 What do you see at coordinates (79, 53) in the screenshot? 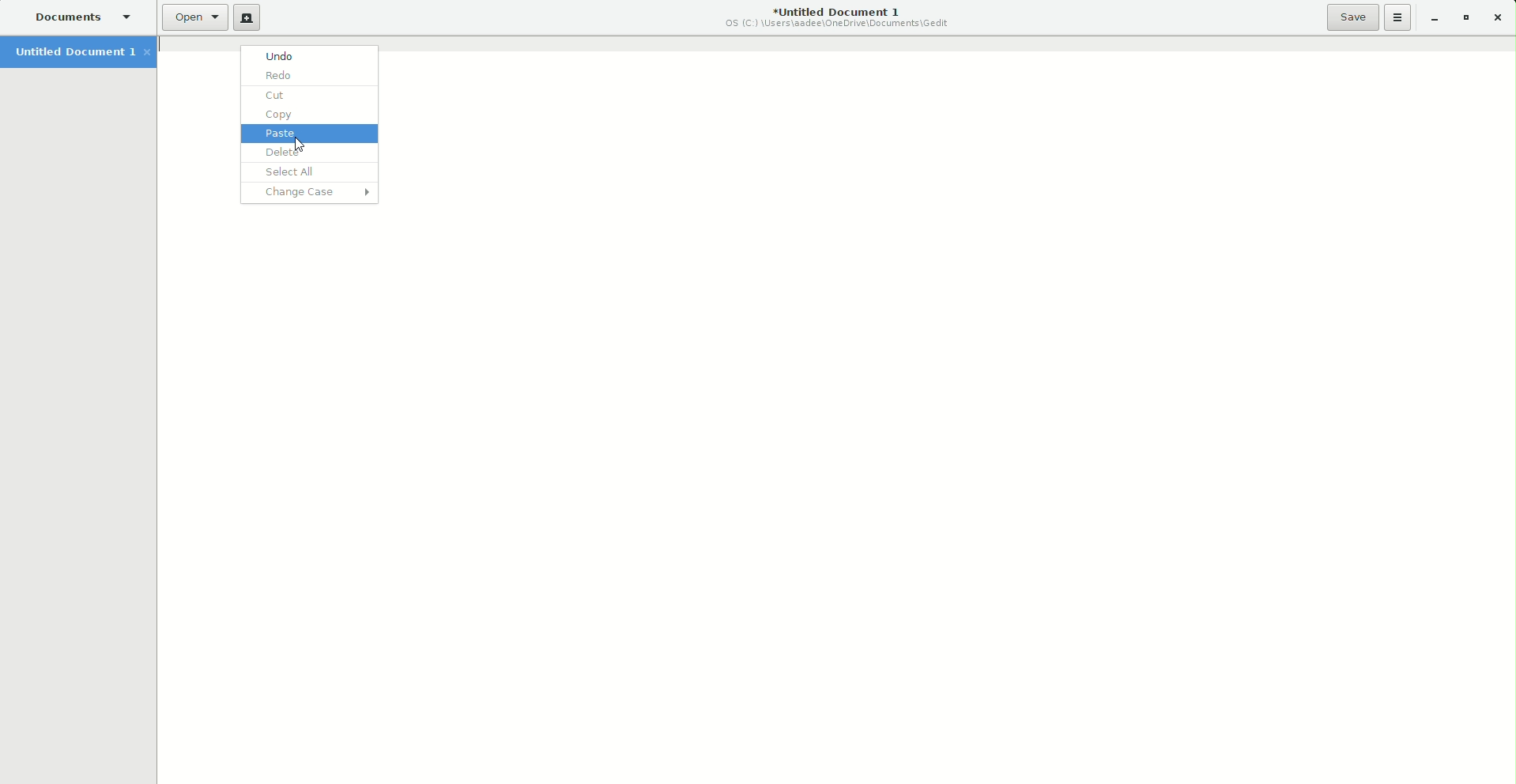
I see `Untitled Document` at bounding box center [79, 53].